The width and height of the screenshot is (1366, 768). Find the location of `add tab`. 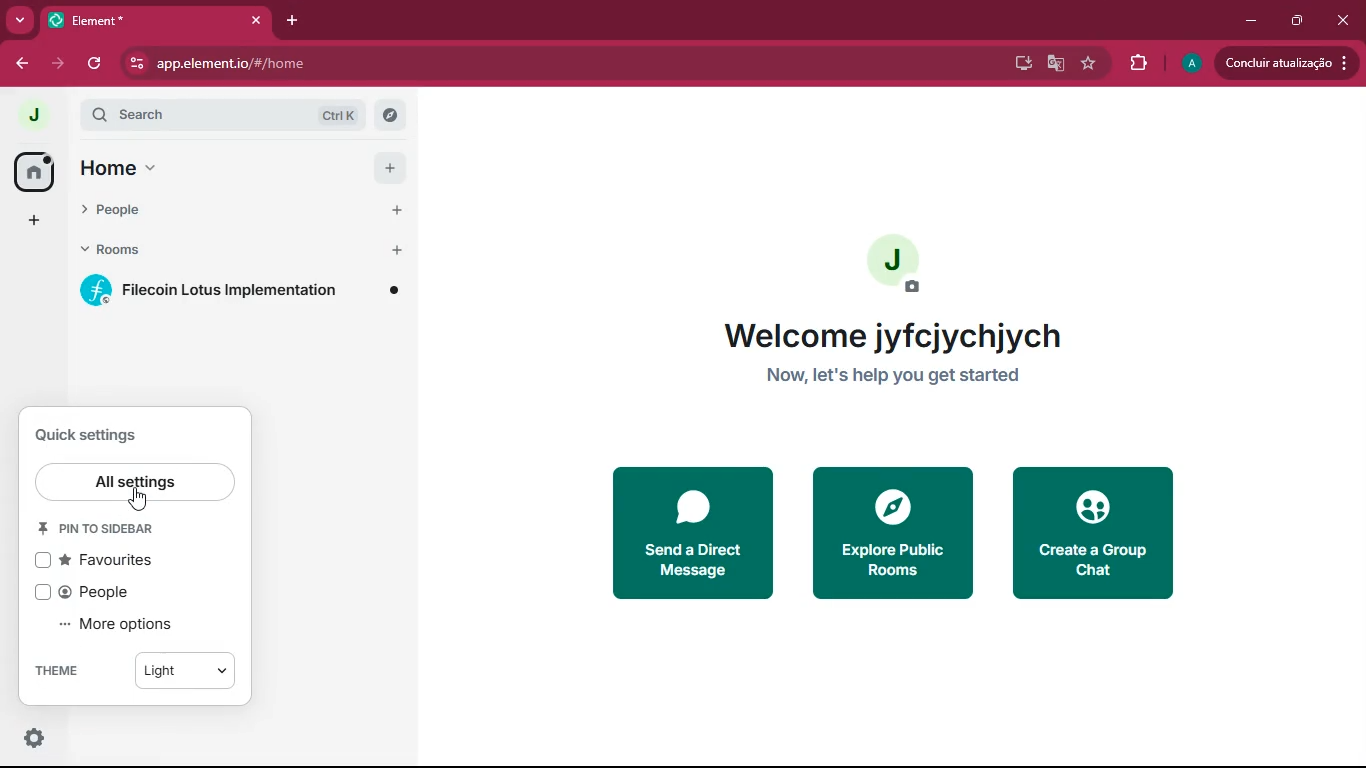

add tab is located at coordinates (292, 21).